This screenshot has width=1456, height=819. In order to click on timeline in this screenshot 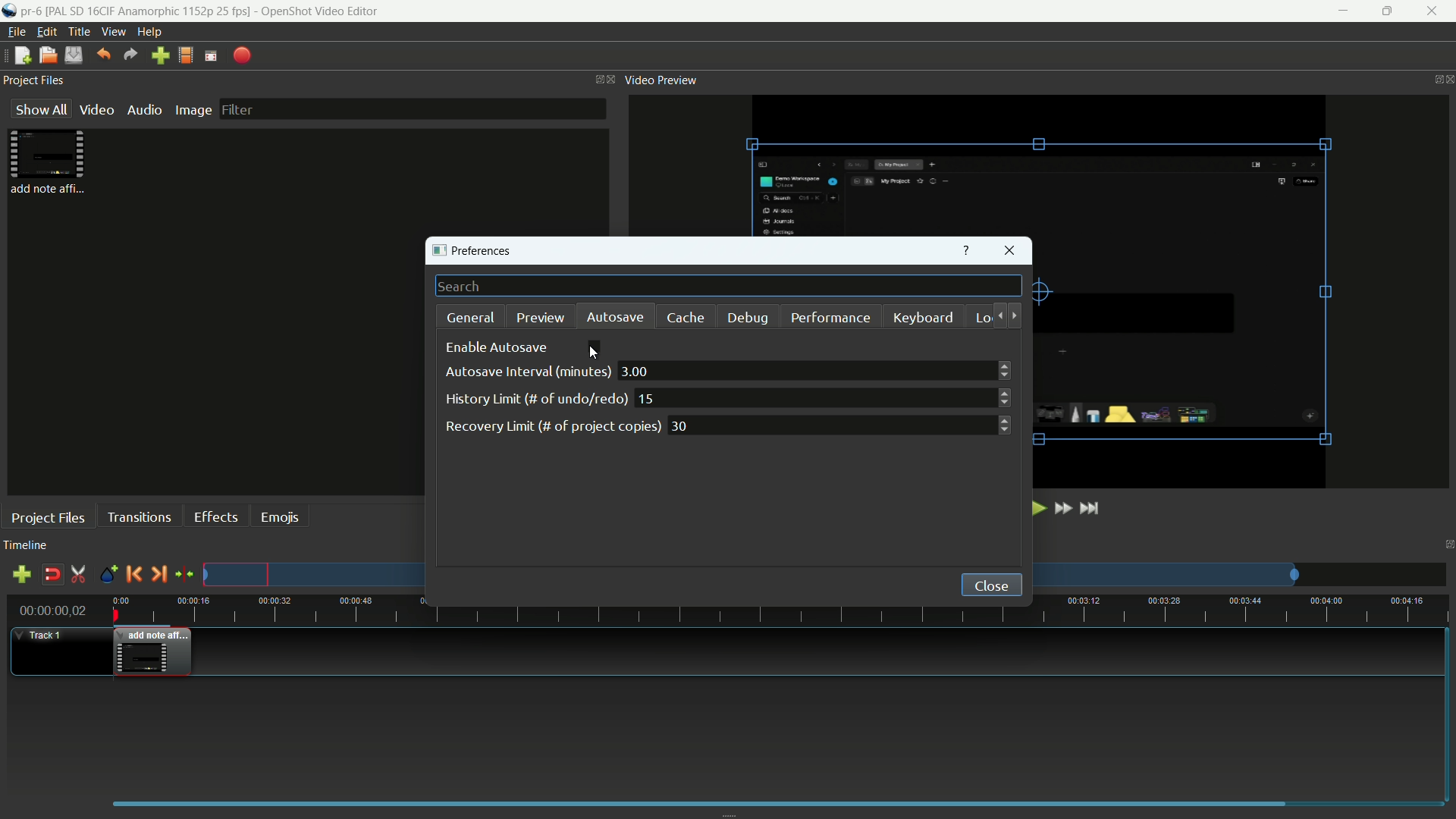, I will do `click(26, 544)`.